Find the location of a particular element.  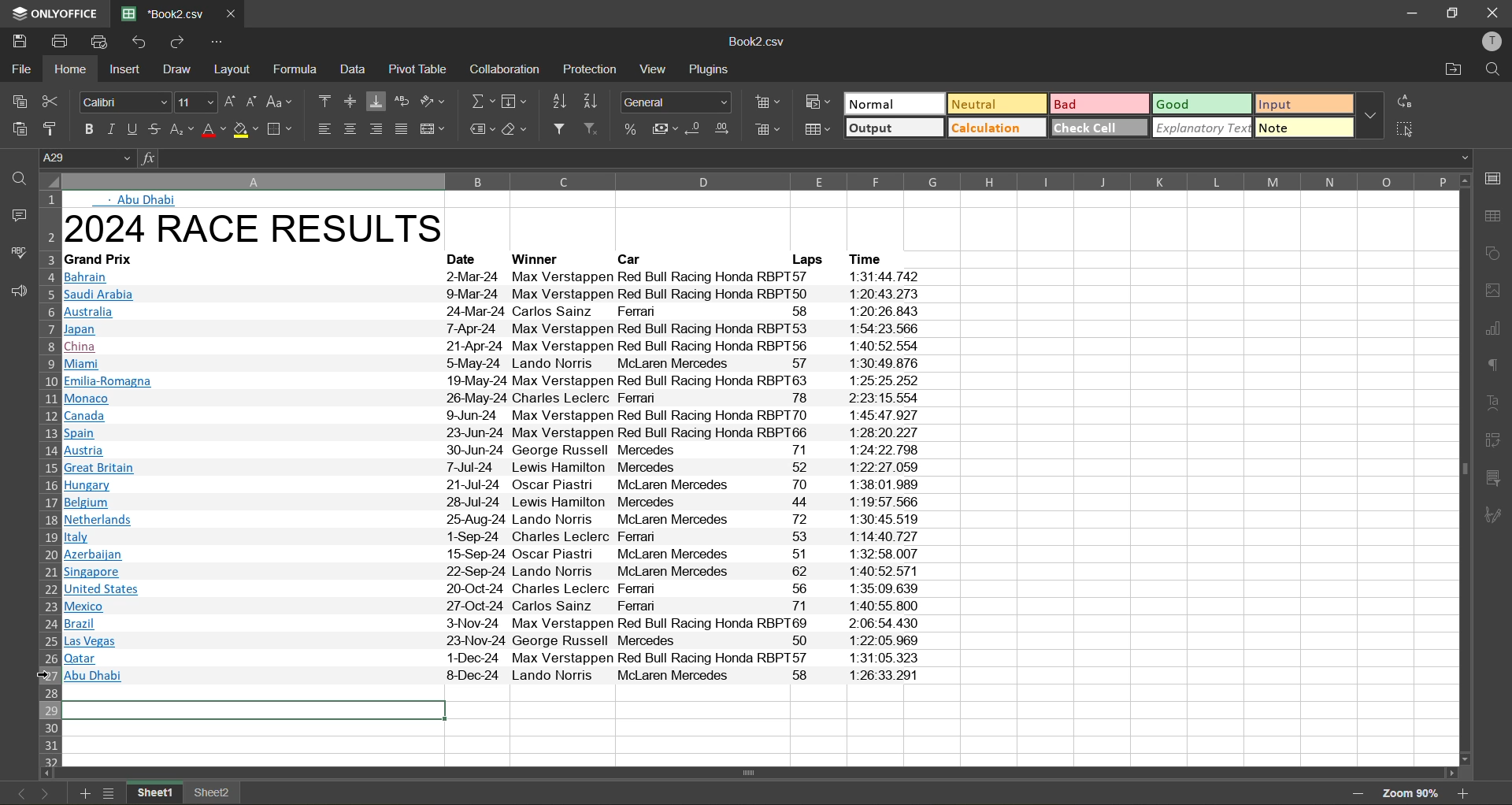

text info is located at coordinates (498, 346).